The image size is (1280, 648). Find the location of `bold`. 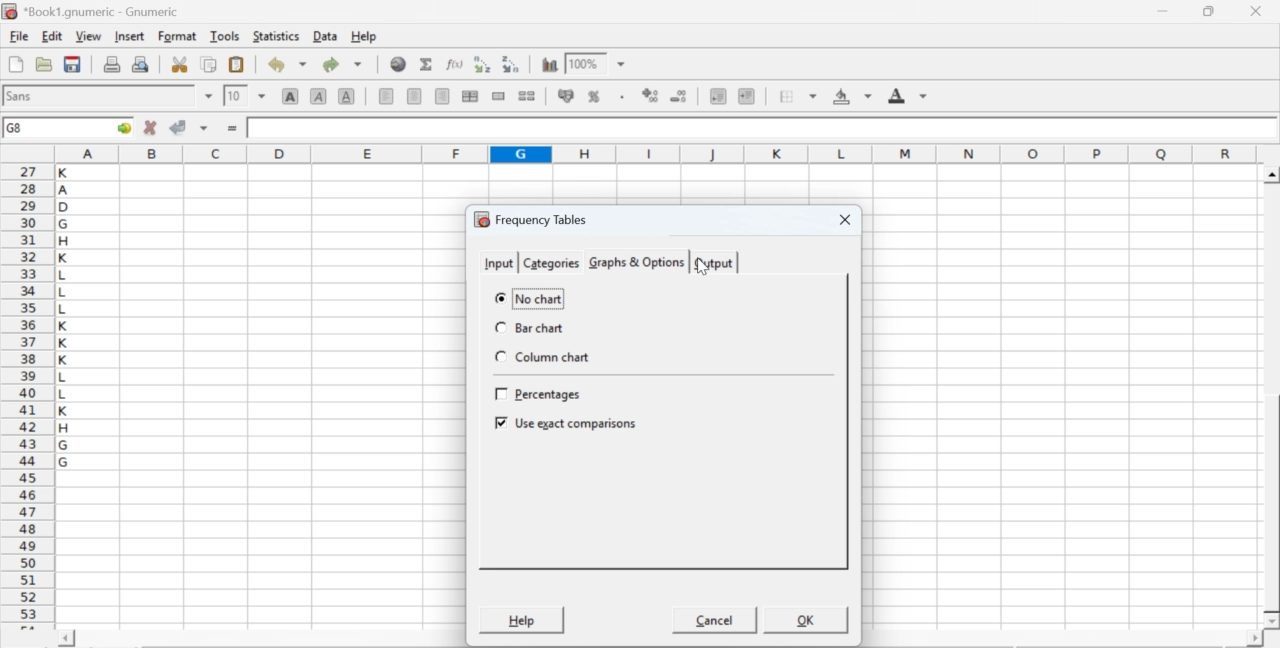

bold is located at coordinates (291, 95).